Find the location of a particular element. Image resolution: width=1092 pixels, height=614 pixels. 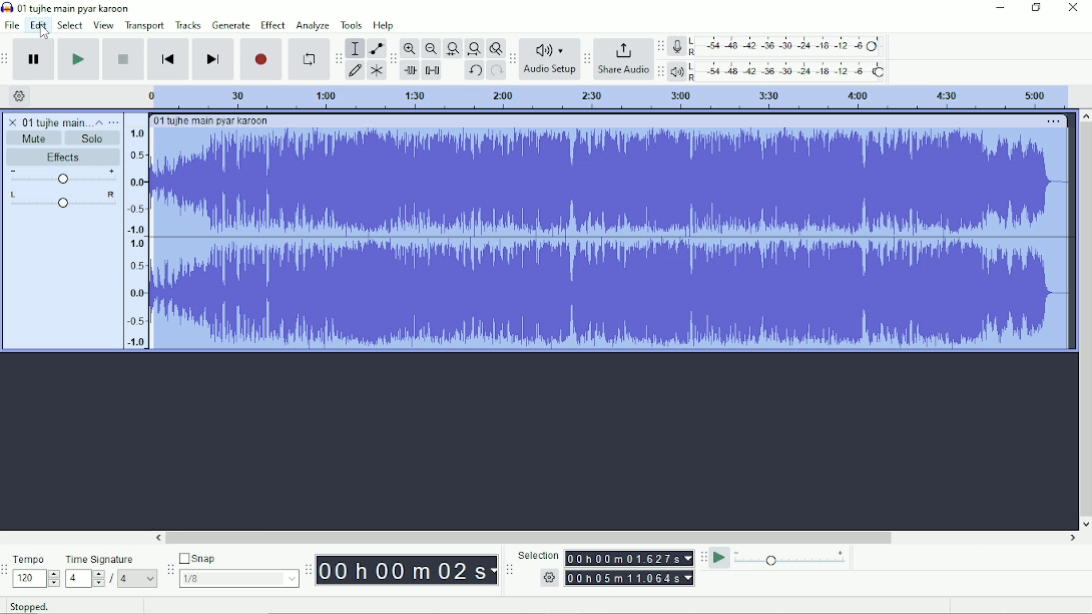

Audacity recording meter toolbar is located at coordinates (661, 46).